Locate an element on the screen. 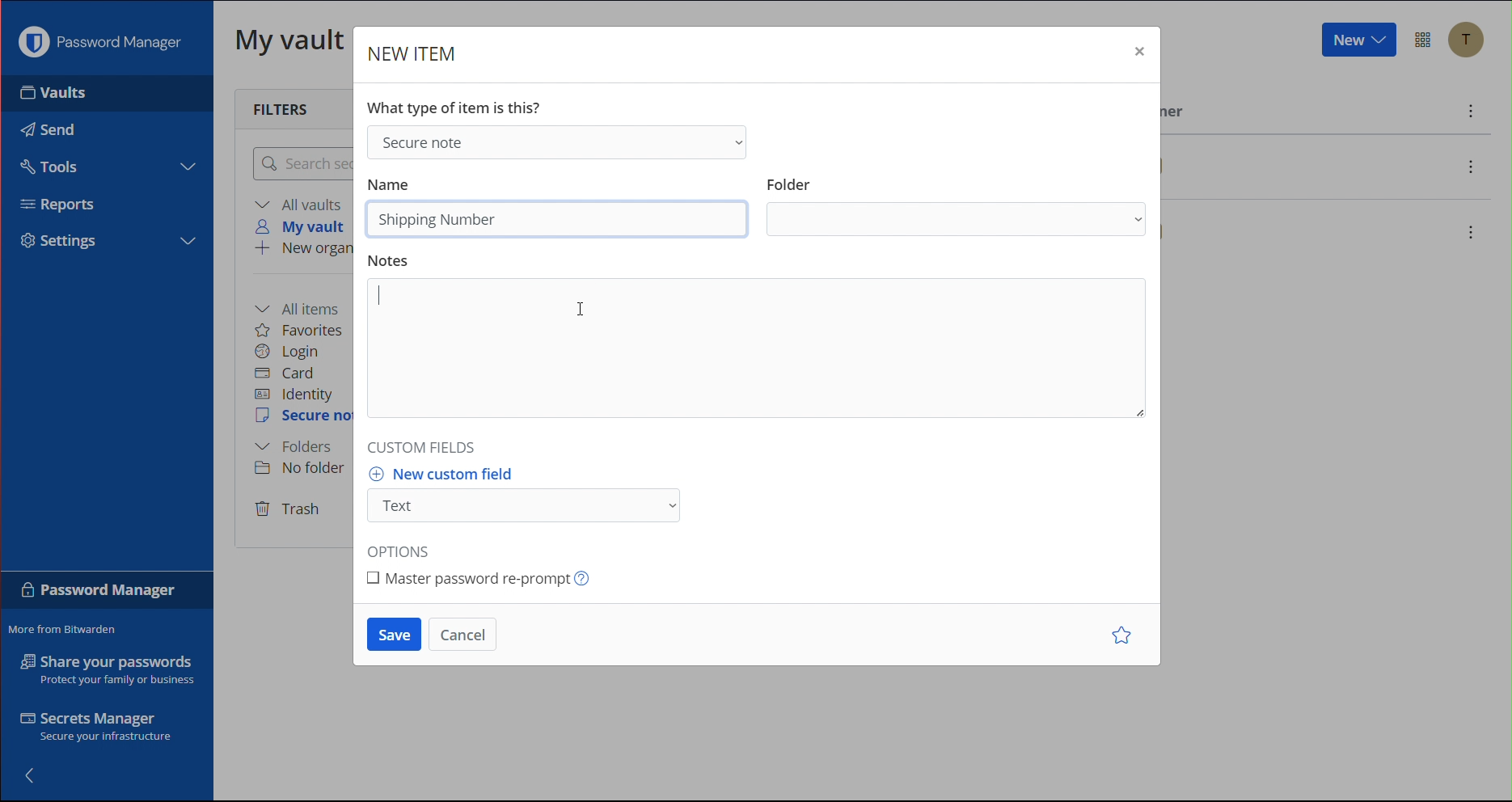 This screenshot has height=802, width=1512. Reports is located at coordinates (58, 204).